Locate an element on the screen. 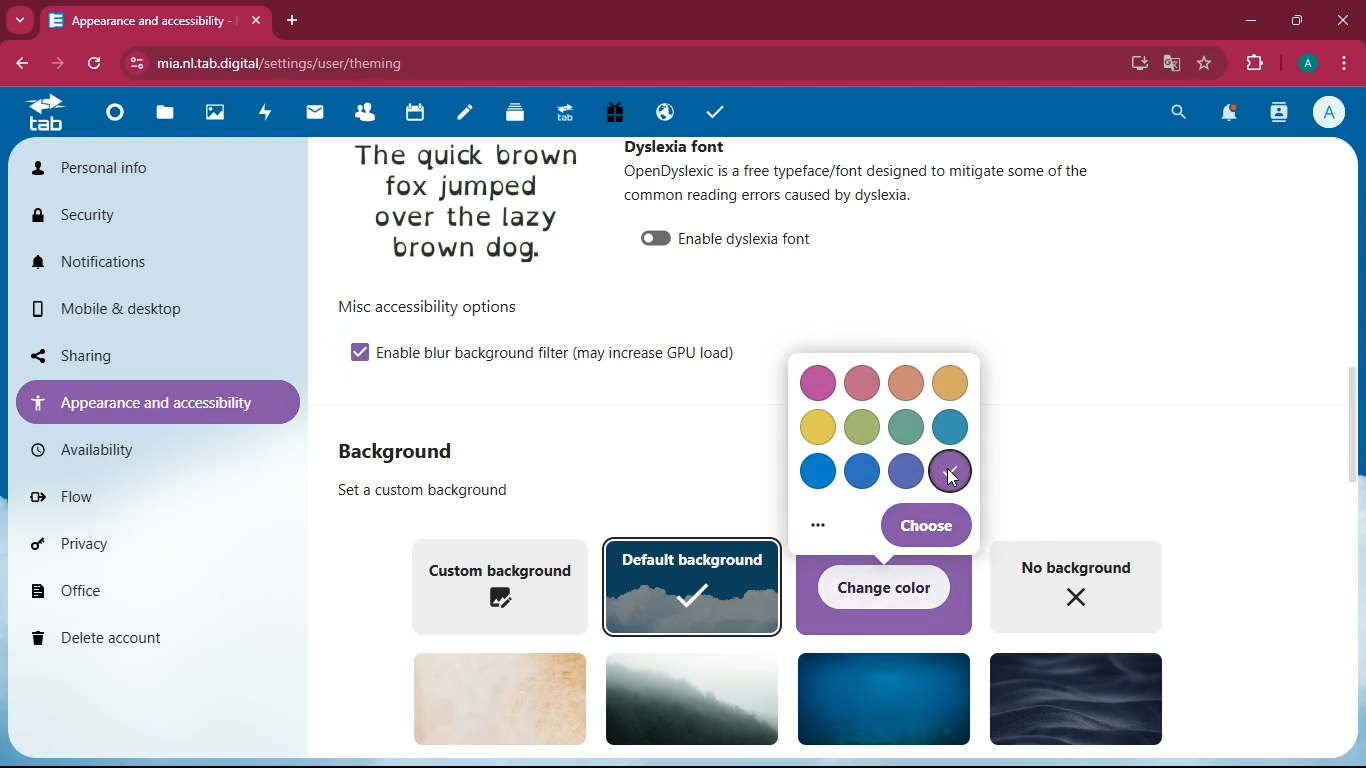 The image size is (1366, 768). friends is located at coordinates (361, 112).